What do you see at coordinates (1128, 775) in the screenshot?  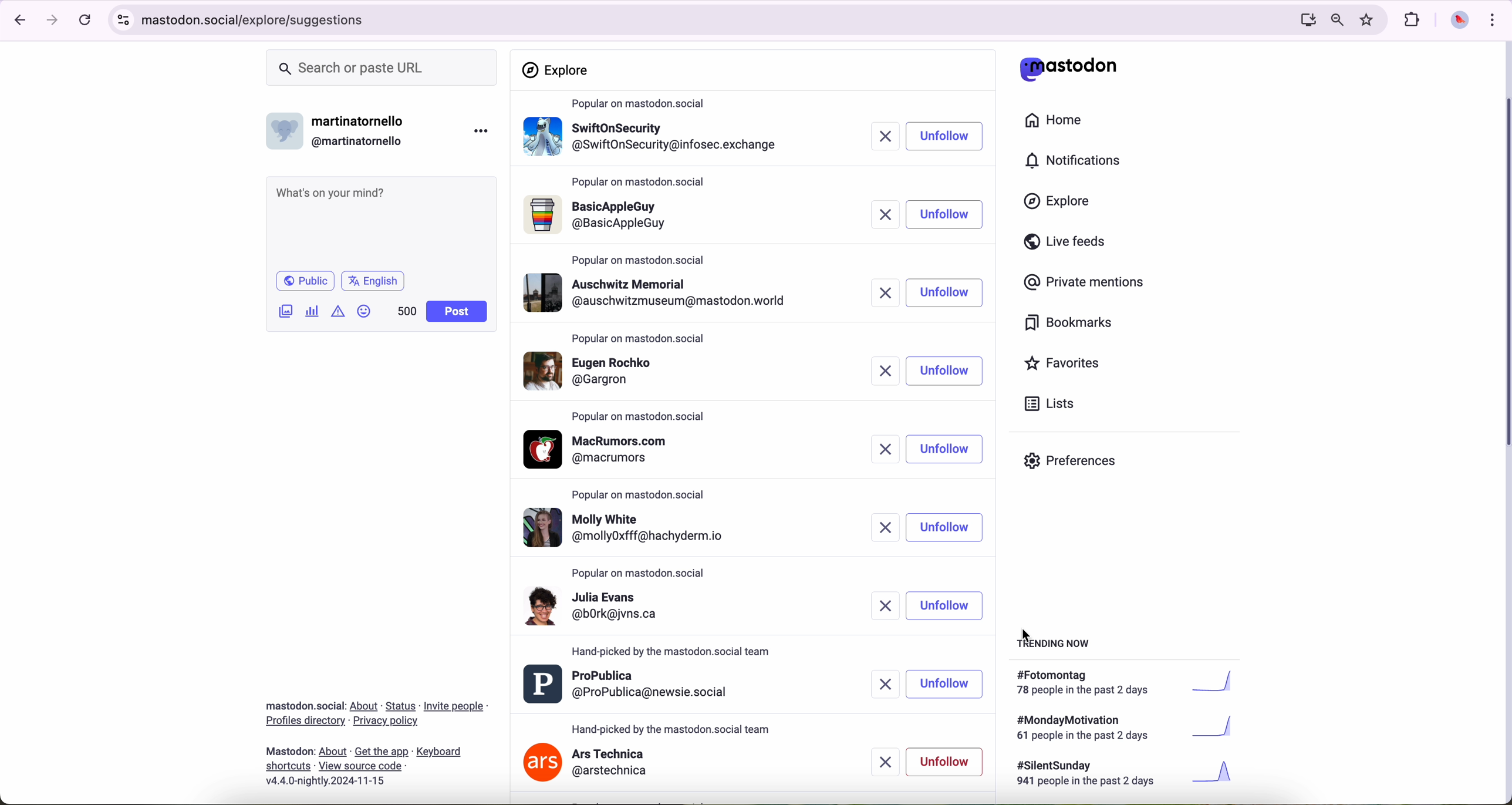 I see `#silentsunday` at bounding box center [1128, 775].